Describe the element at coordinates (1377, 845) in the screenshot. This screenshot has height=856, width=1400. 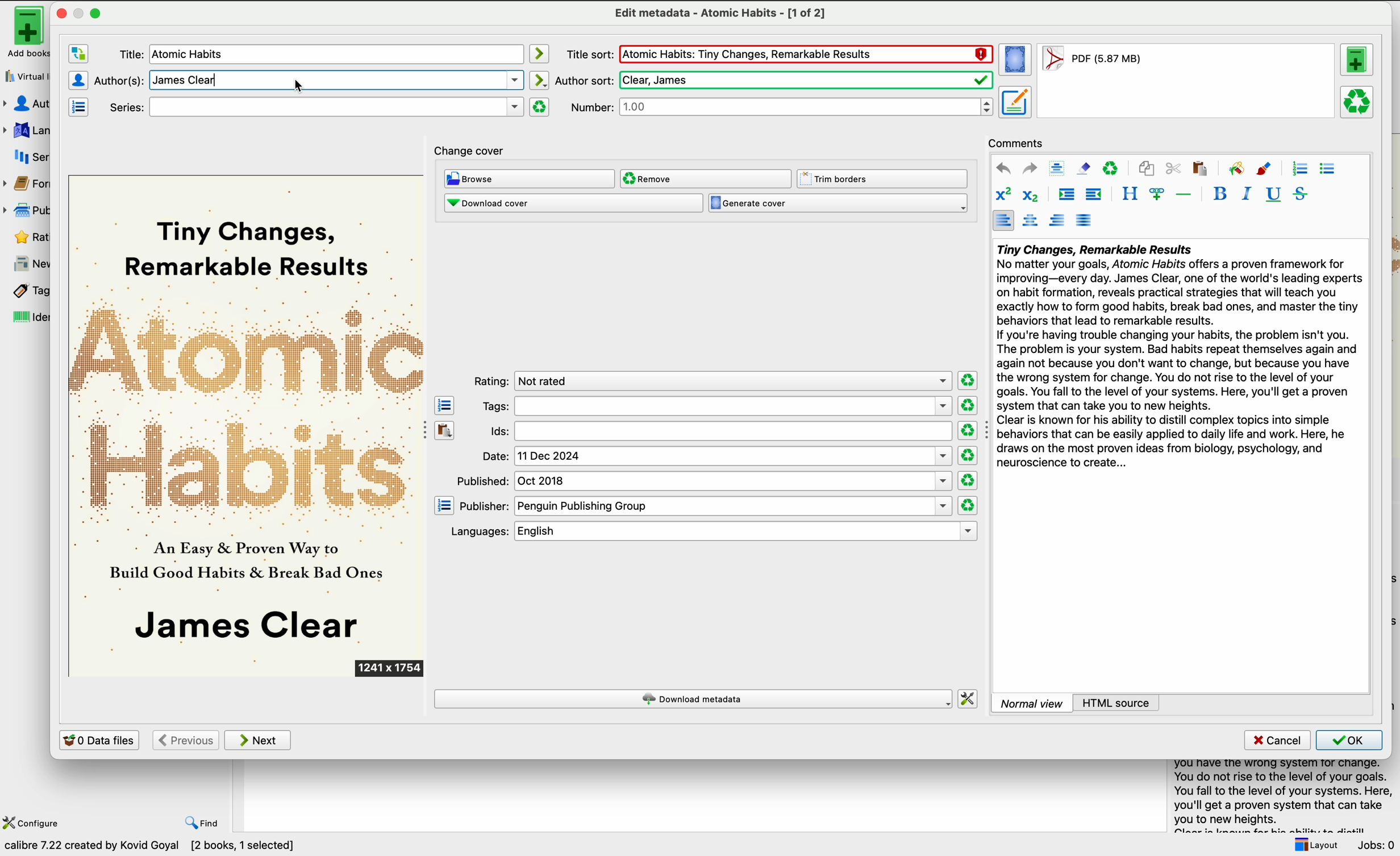
I see `jobs: 0` at that location.